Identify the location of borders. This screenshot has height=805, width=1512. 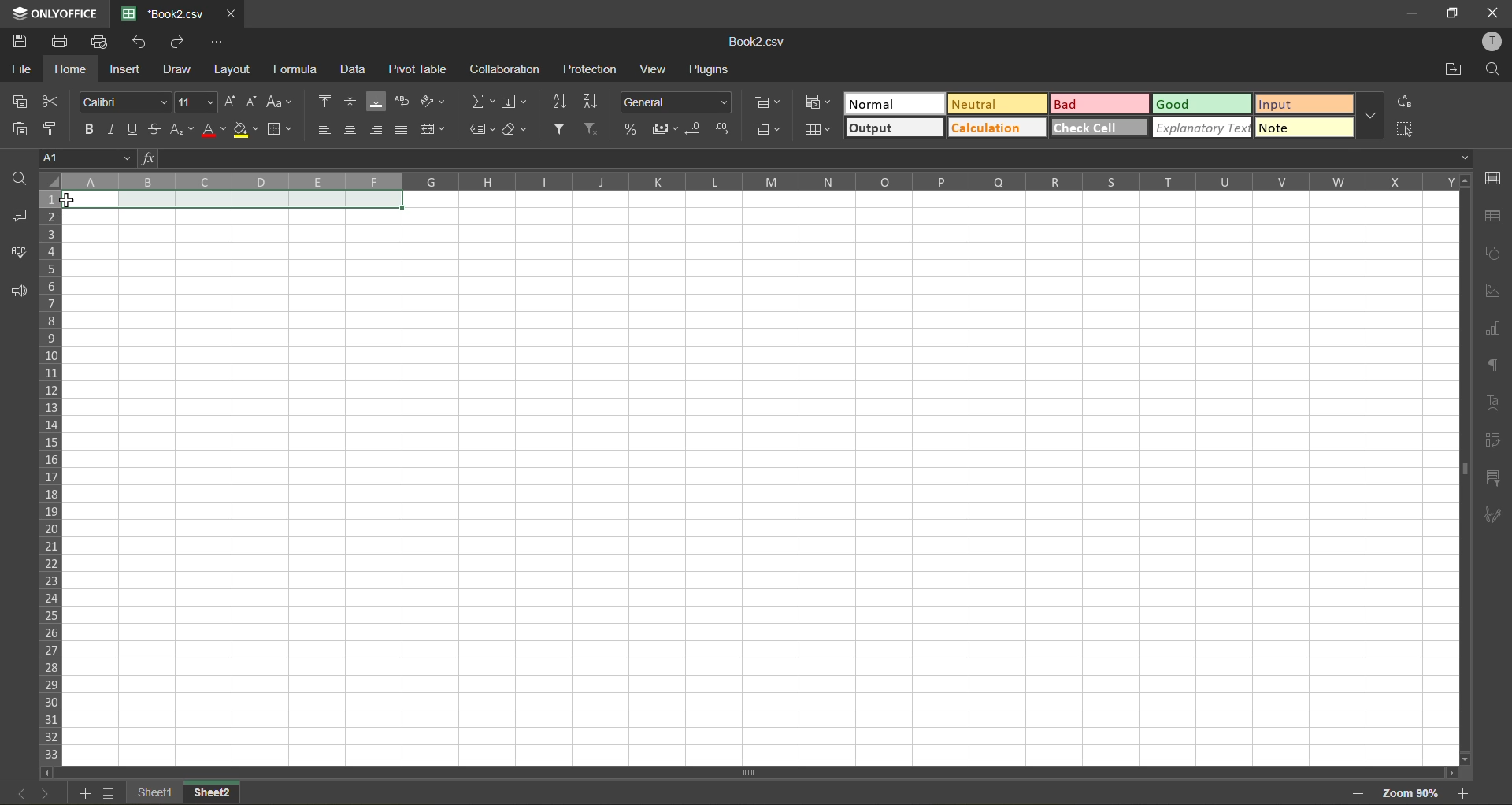
(282, 129).